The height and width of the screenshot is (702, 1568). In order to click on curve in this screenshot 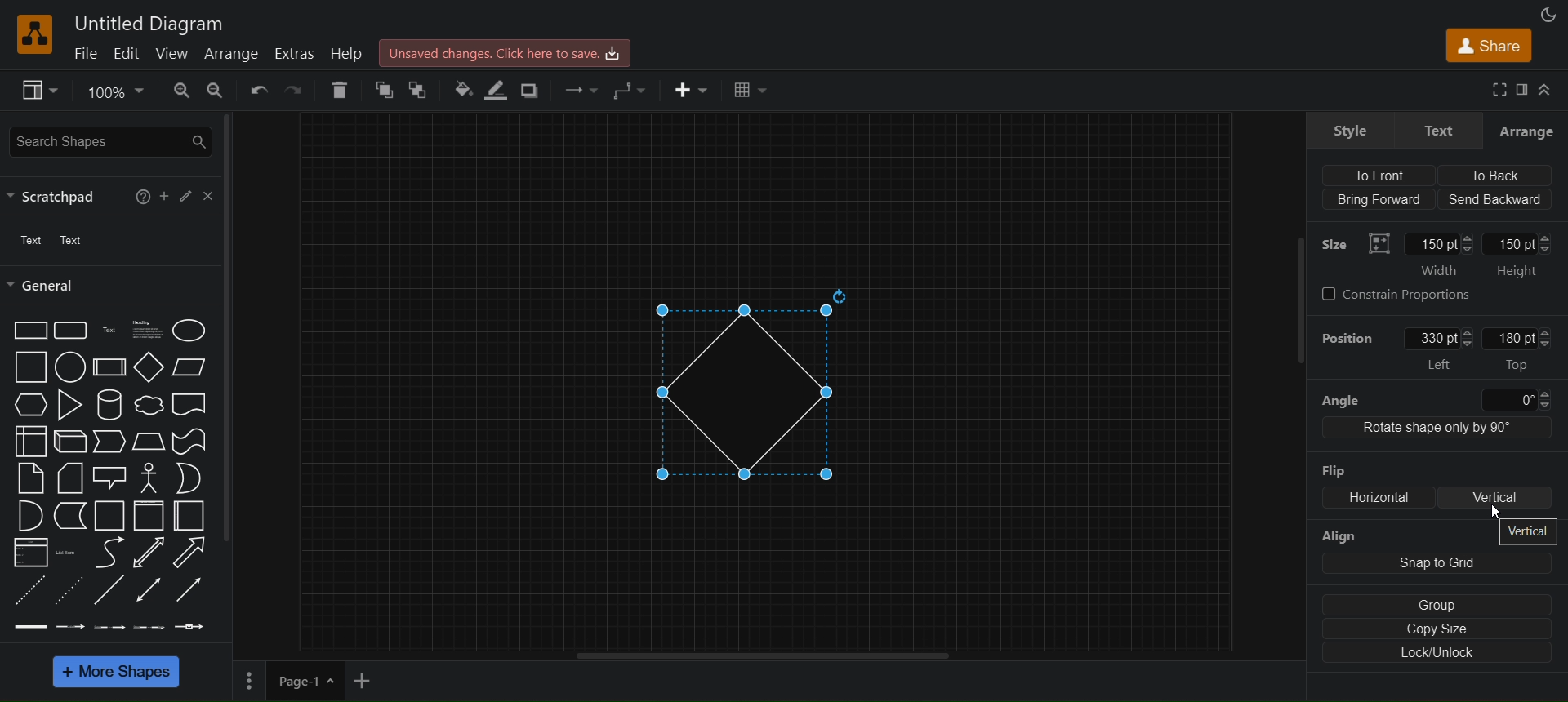, I will do `click(106, 551)`.